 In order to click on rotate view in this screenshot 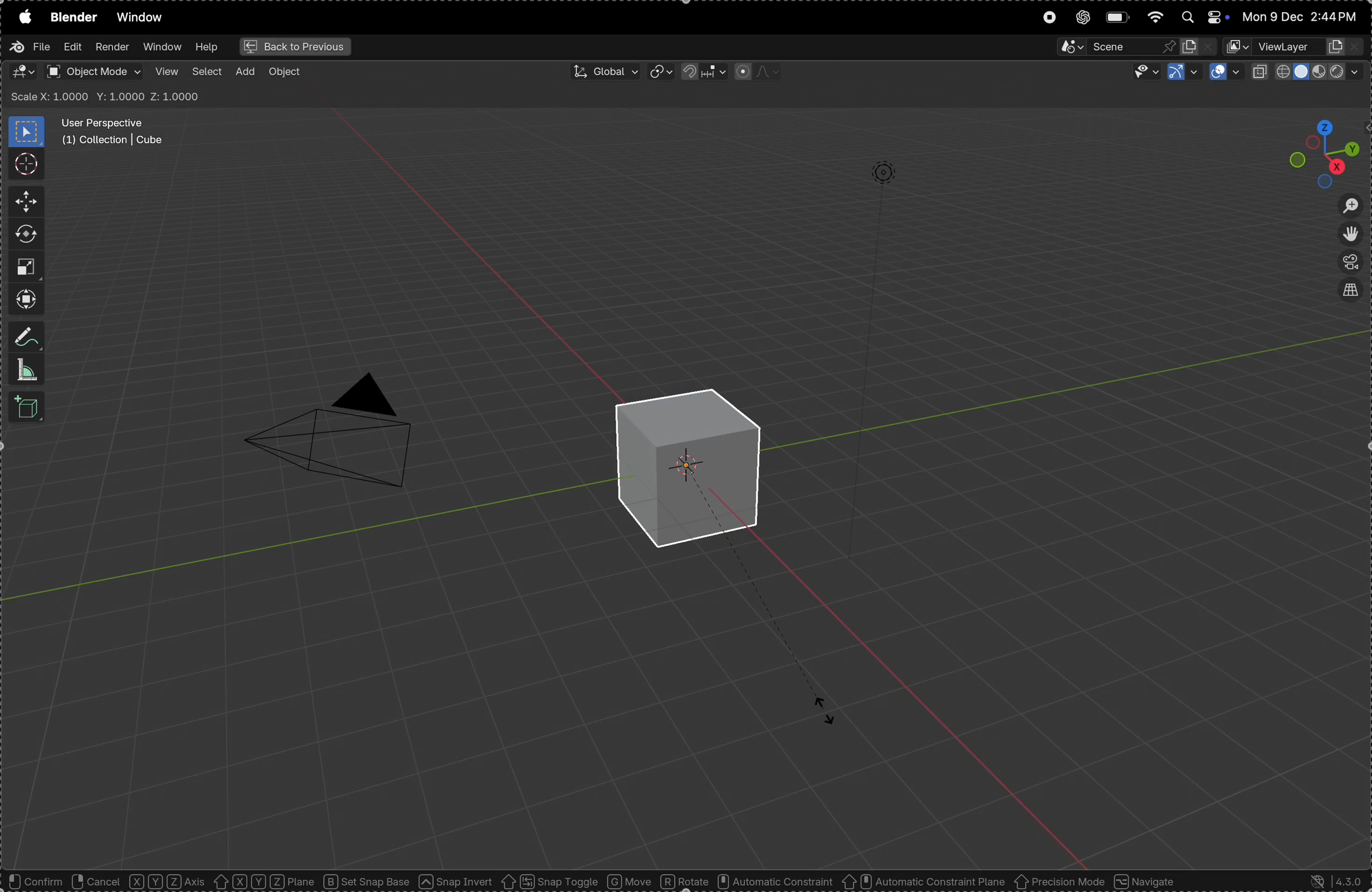, I will do `click(96, 883)`.